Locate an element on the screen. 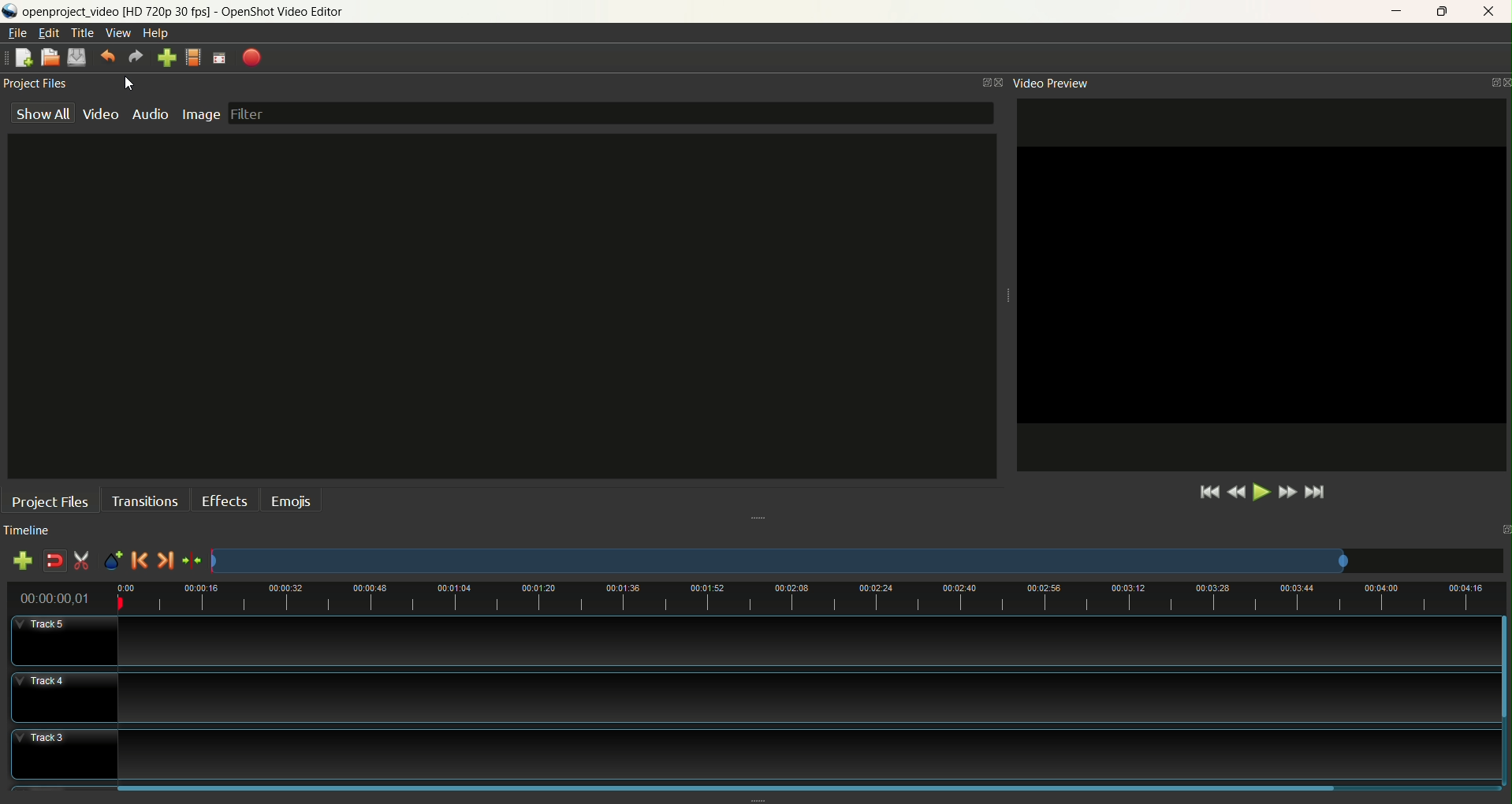 Image resolution: width=1512 pixels, height=804 pixels. center the timeline on playhead is located at coordinates (193, 562).